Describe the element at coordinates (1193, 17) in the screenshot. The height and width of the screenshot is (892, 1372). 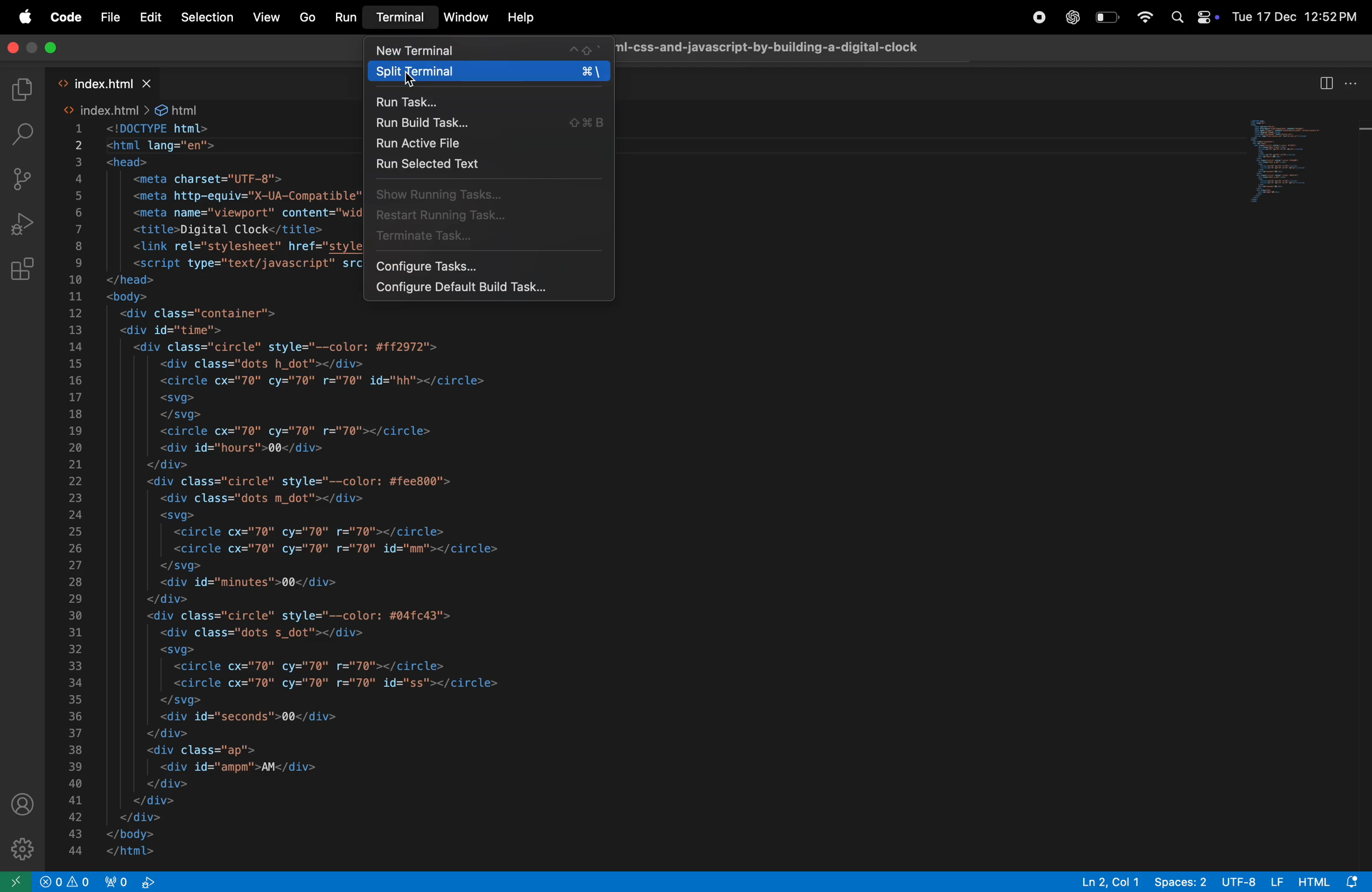
I see `apple widgets` at that location.